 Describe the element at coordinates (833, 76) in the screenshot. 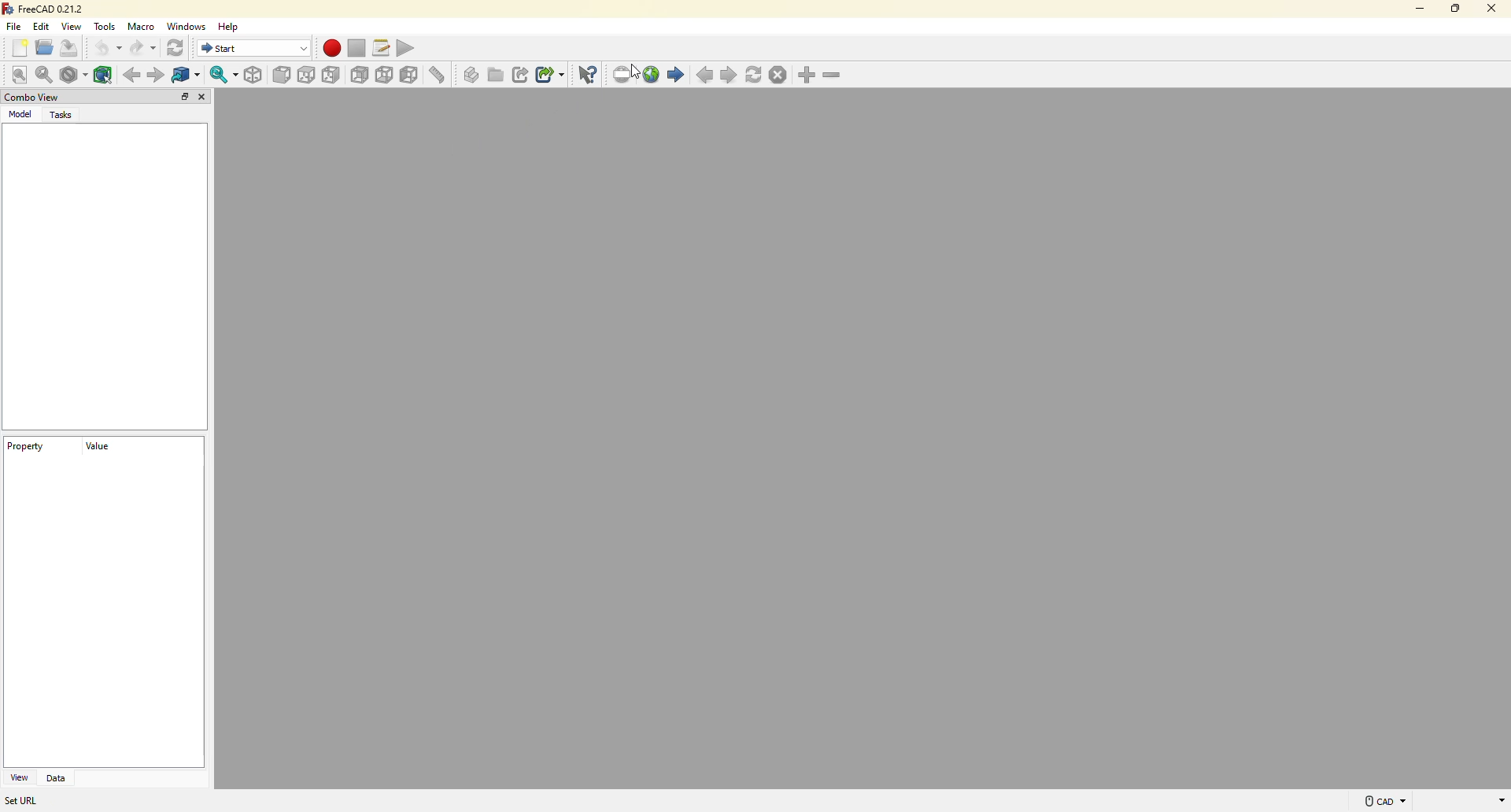

I see `zoom out` at that location.